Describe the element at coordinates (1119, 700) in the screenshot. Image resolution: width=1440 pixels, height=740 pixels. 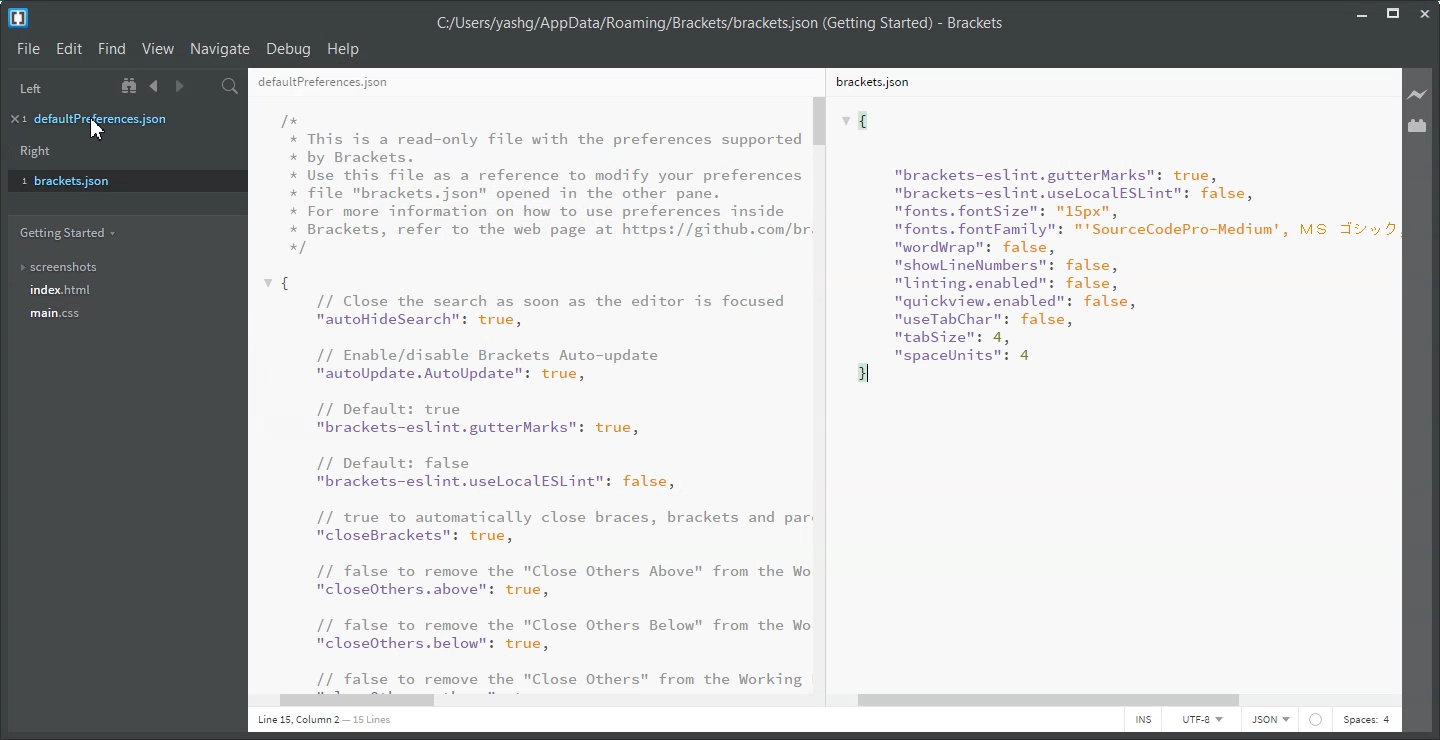
I see `Horizontal Scroll Bar` at that location.